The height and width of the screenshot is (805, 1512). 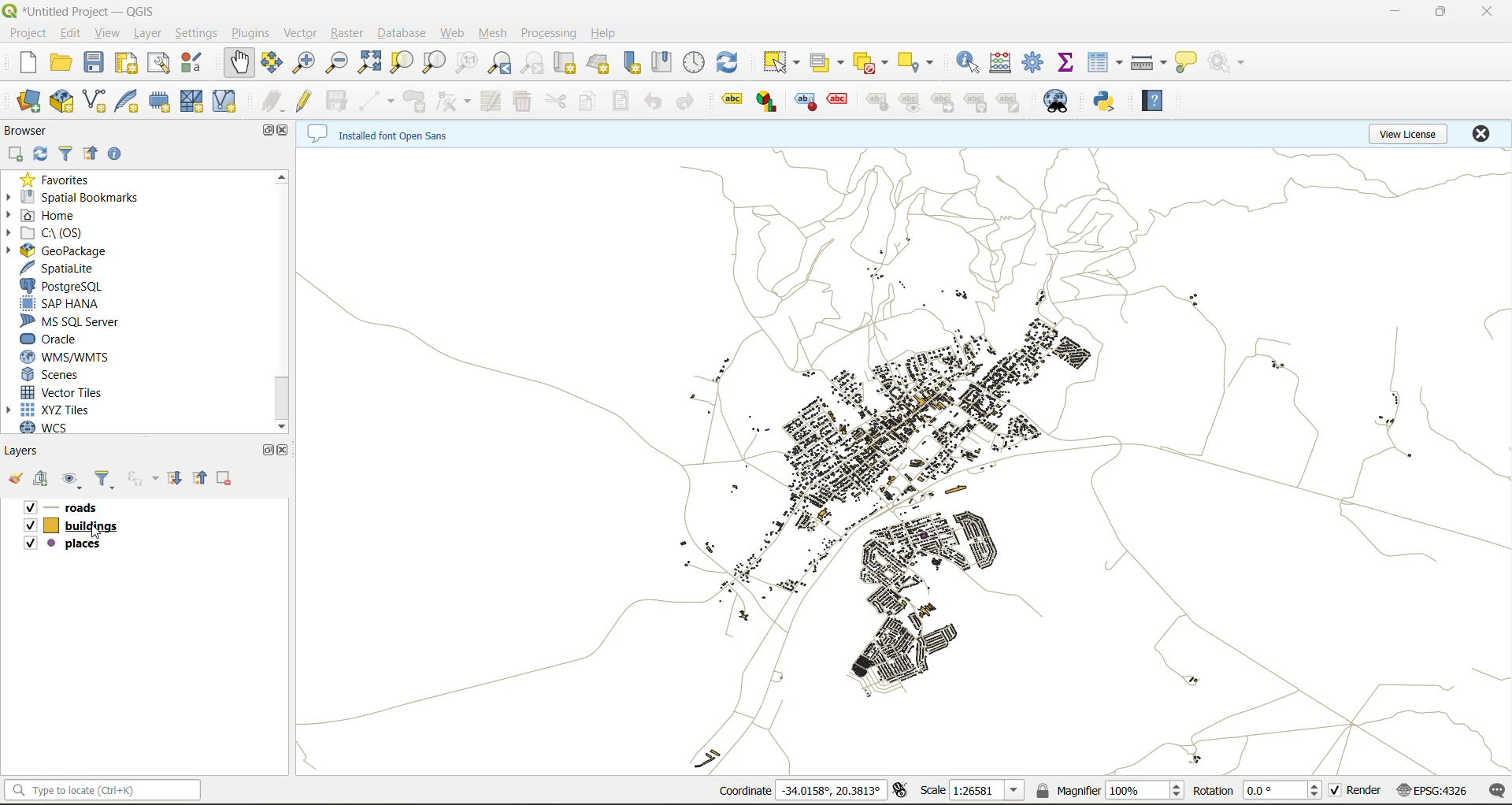 What do you see at coordinates (1494, 789) in the screenshot?
I see `log messages` at bounding box center [1494, 789].